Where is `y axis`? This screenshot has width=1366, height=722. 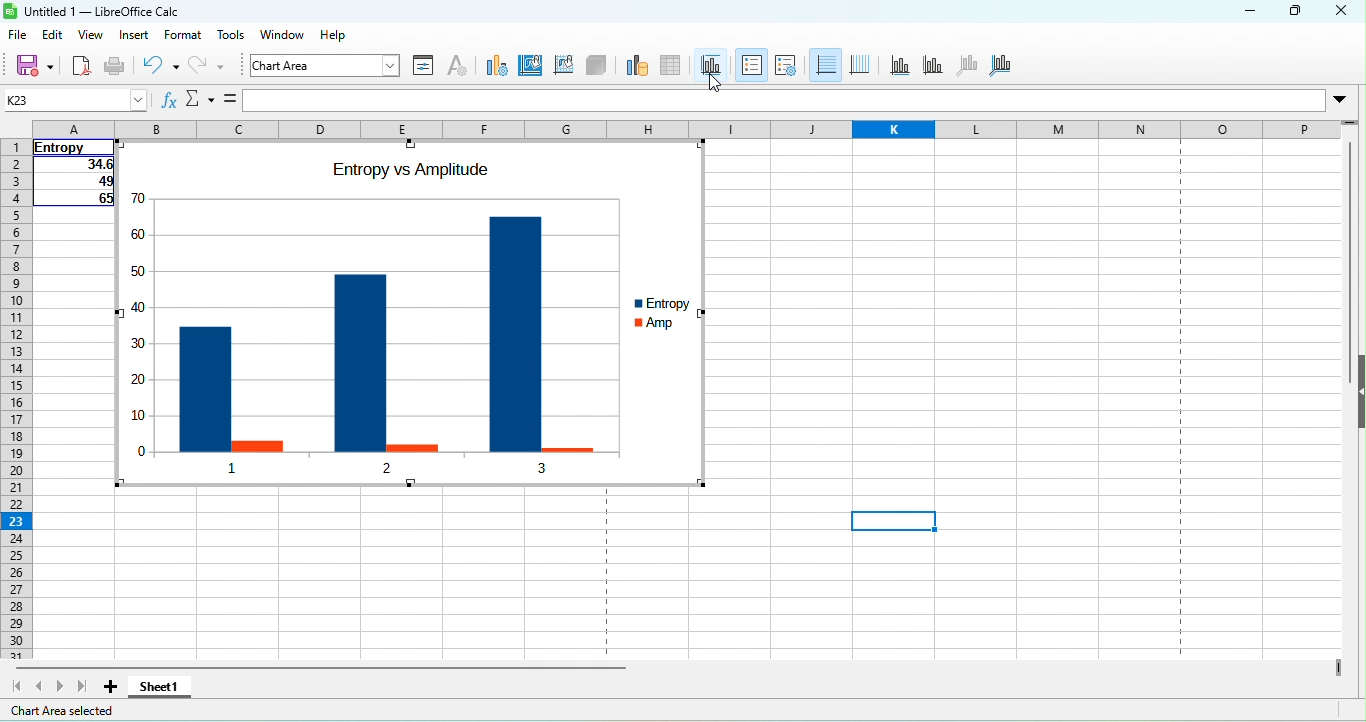 y axis is located at coordinates (931, 65).